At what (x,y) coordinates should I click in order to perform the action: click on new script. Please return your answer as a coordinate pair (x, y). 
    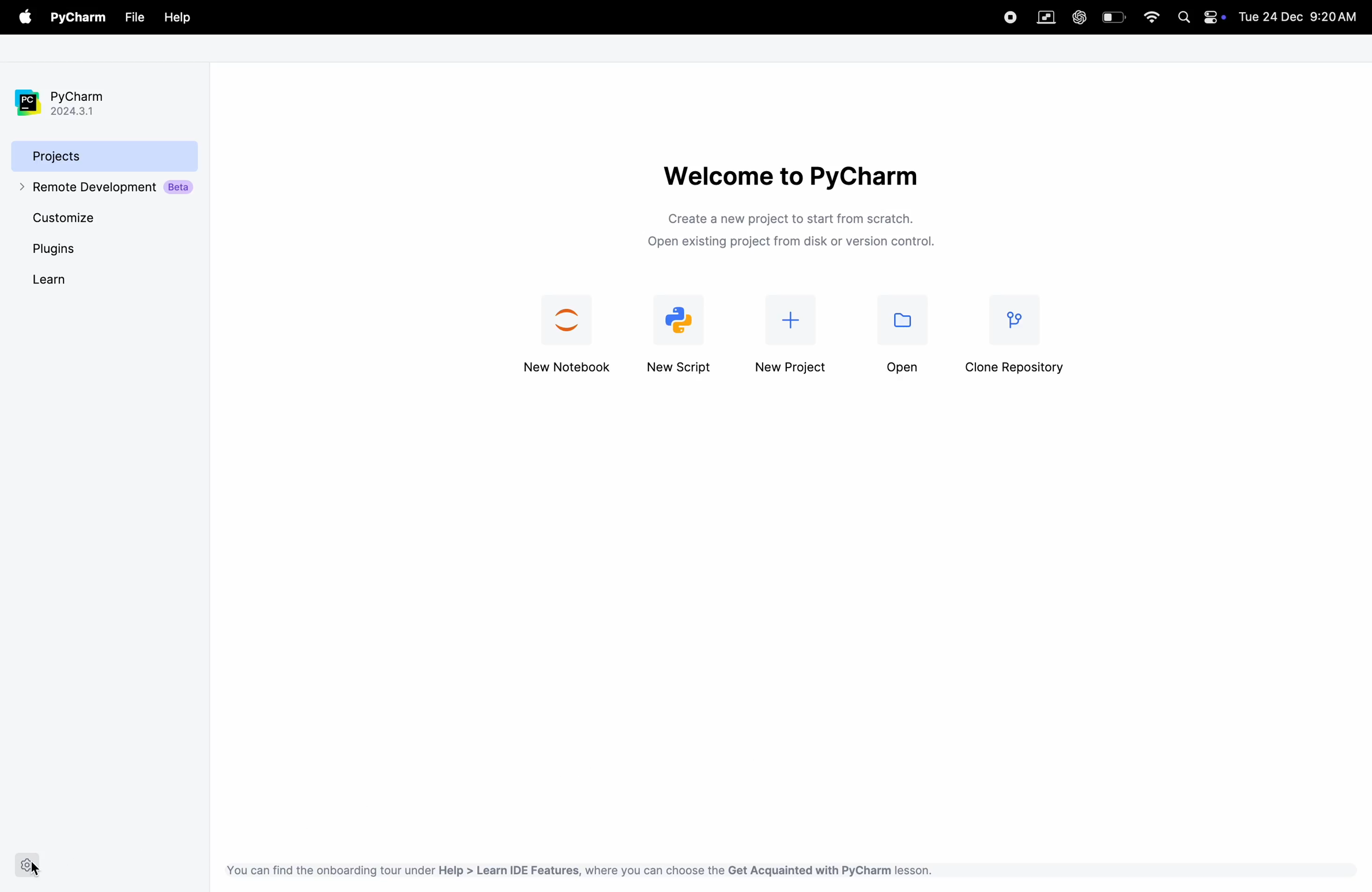
    Looking at the image, I should click on (683, 334).